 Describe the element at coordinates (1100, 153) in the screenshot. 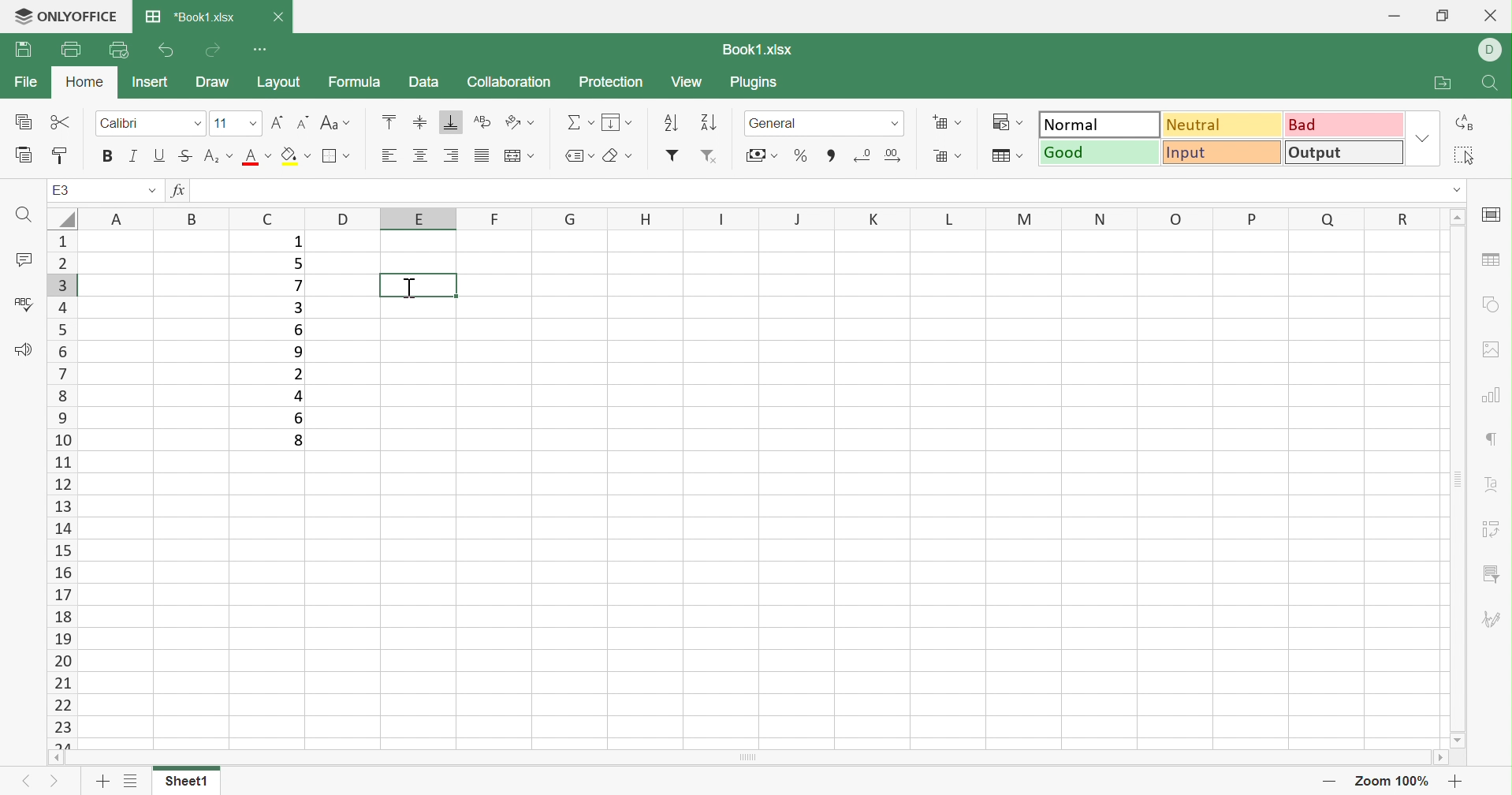

I see `Good` at that location.